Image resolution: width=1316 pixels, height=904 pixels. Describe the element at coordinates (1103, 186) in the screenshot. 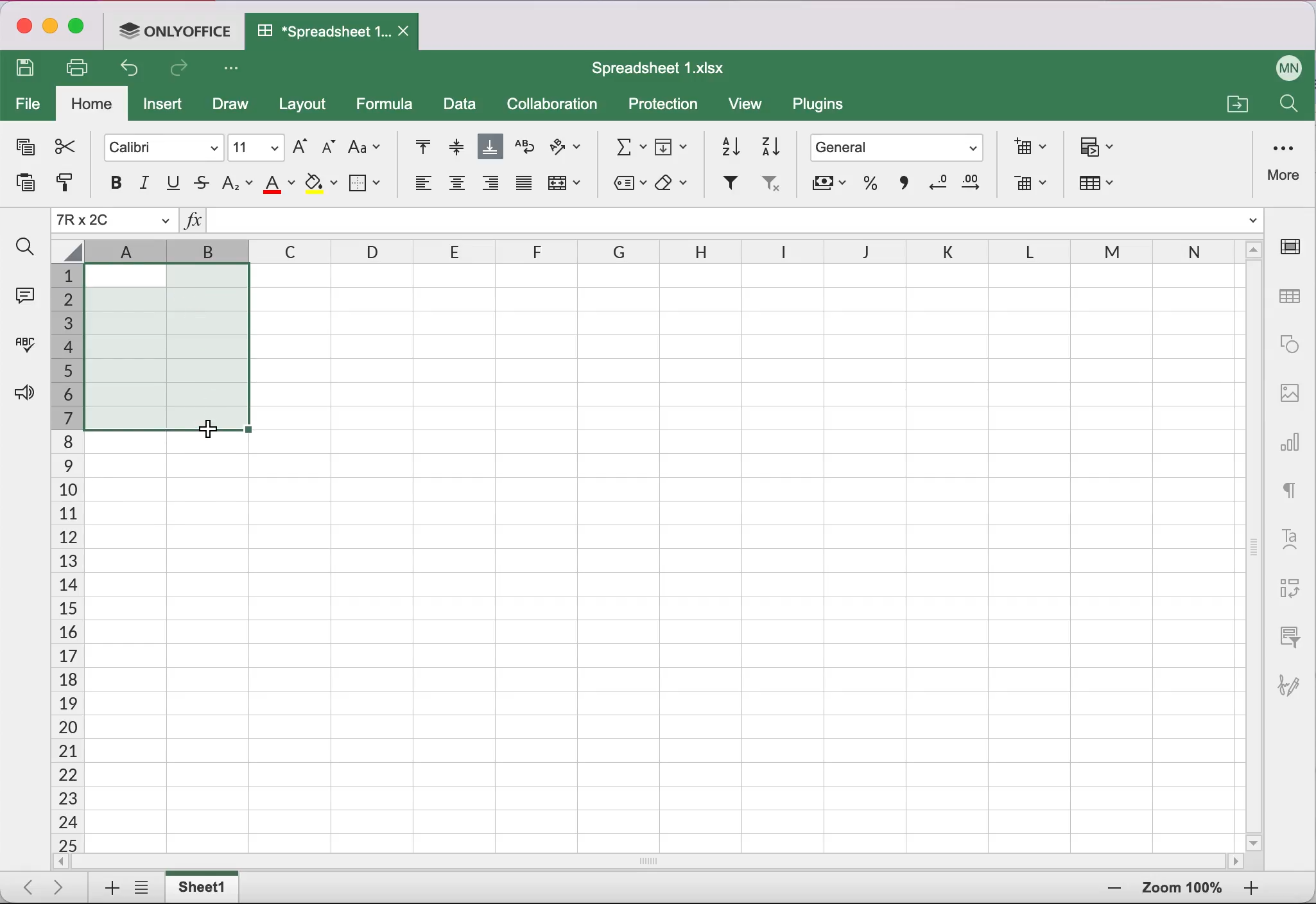

I see `format as table template` at that location.